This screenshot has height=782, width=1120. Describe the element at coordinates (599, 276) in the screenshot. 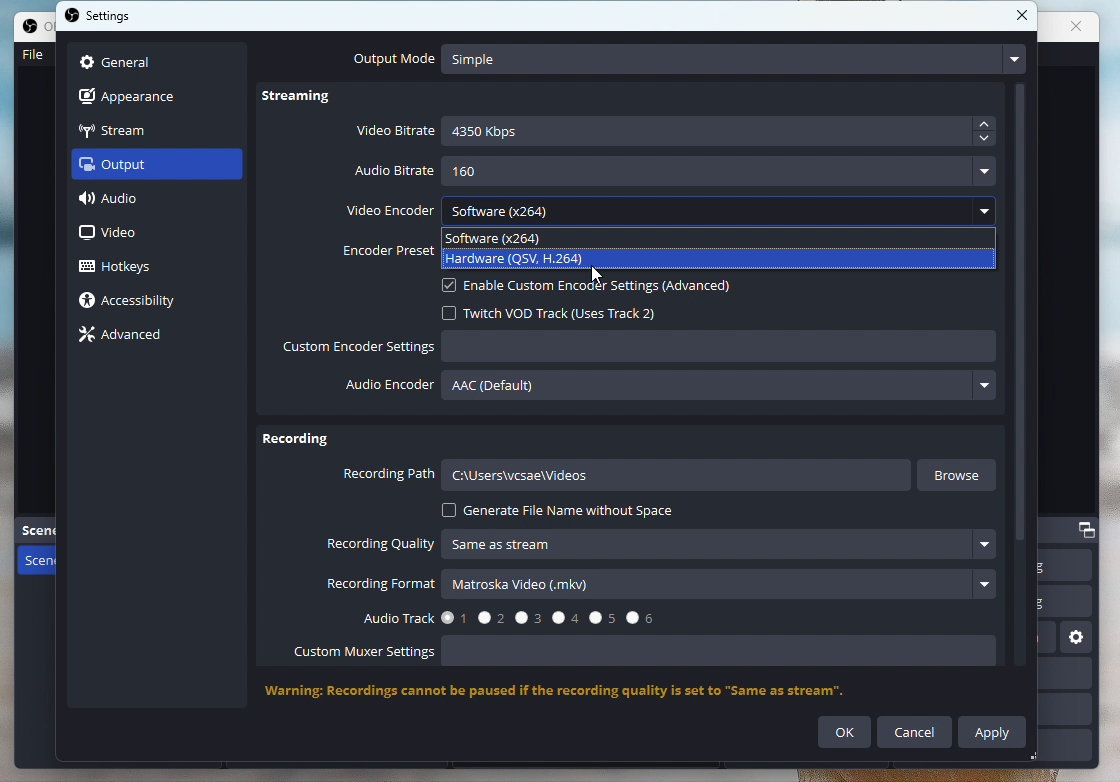

I see `cursor` at that location.